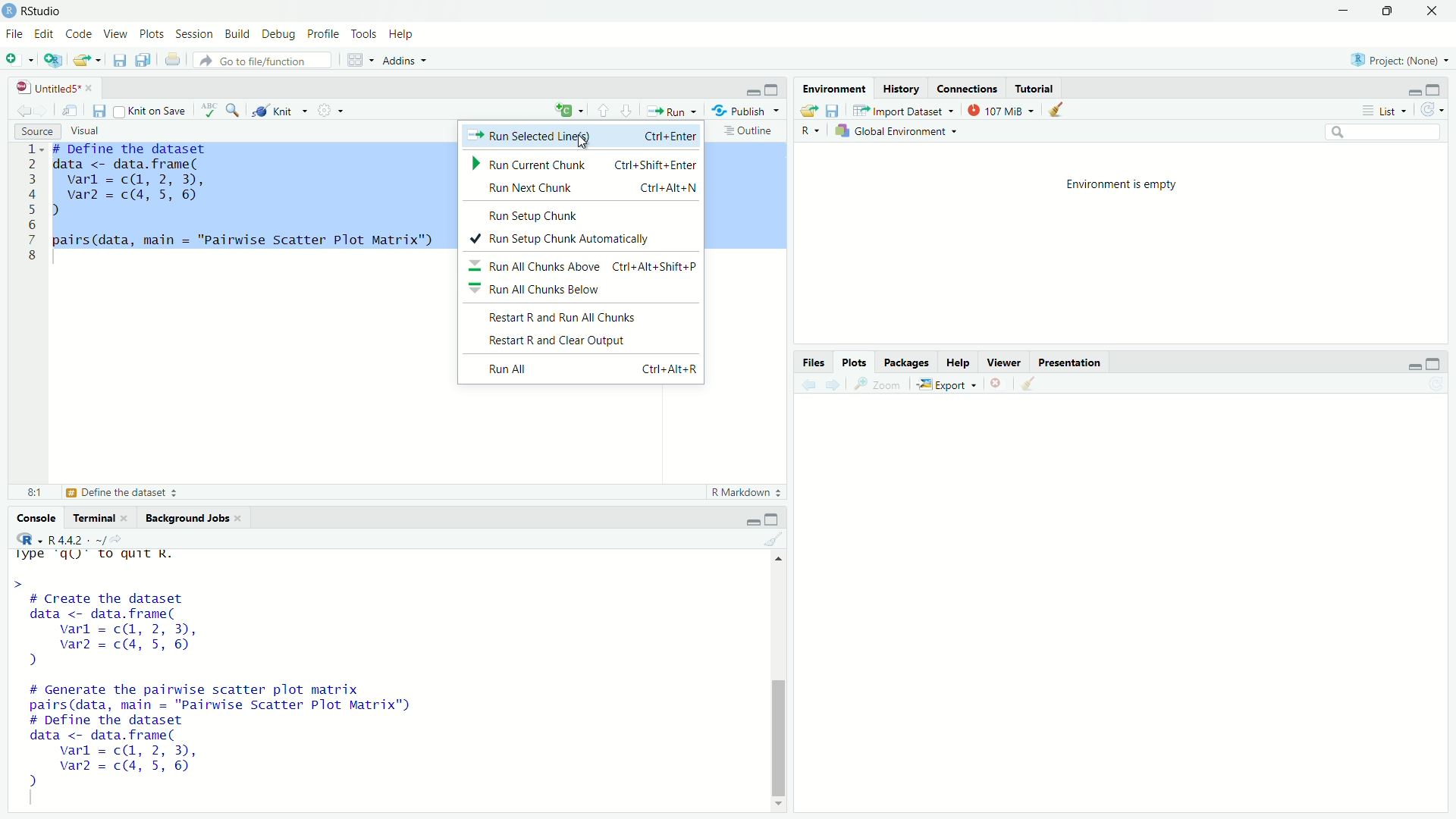 This screenshot has width=1456, height=819. I want to click on Environment is empty, so click(1124, 184).